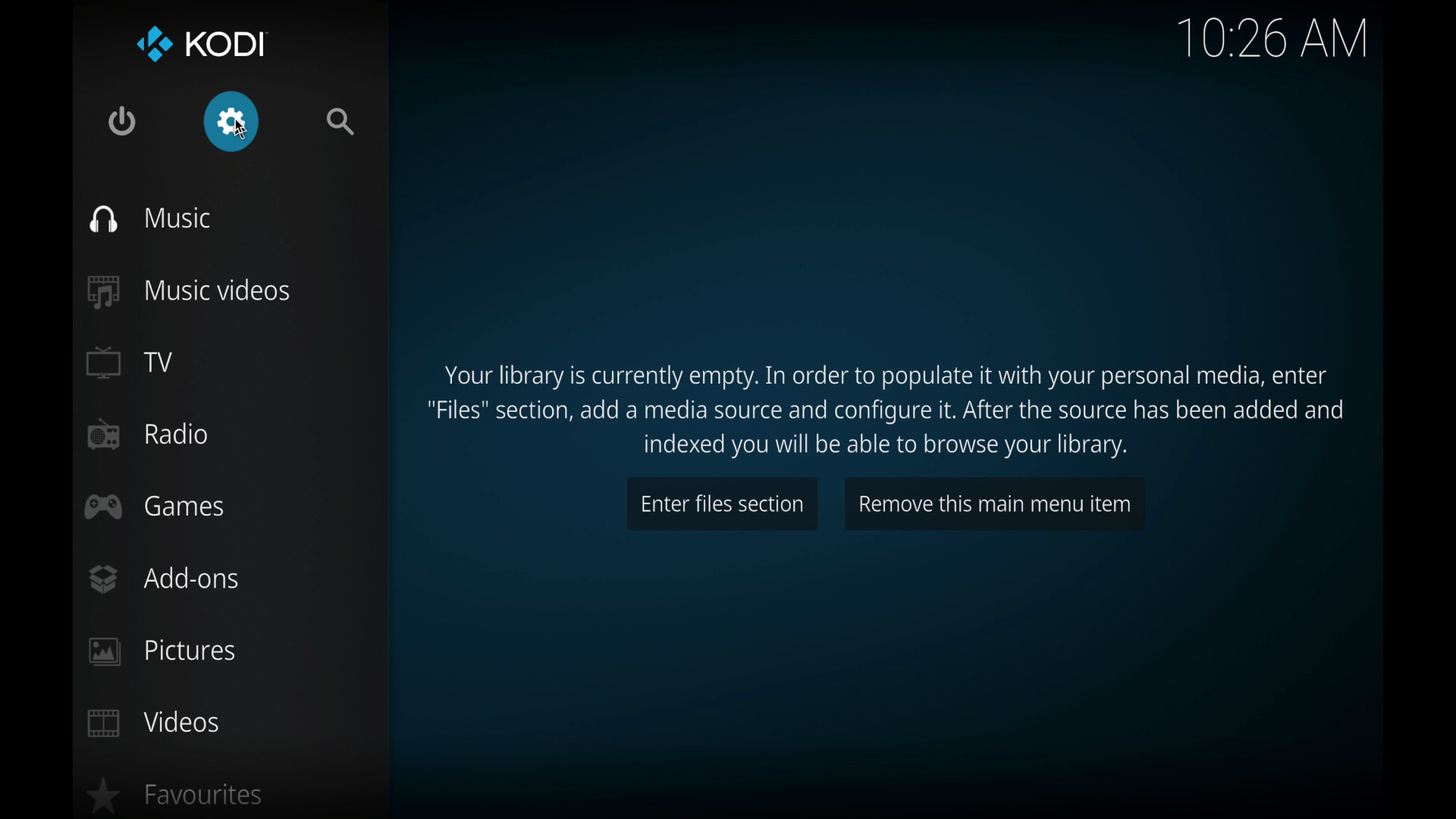  Describe the element at coordinates (888, 409) in the screenshot. I see `instructions to populate media library` at that location.